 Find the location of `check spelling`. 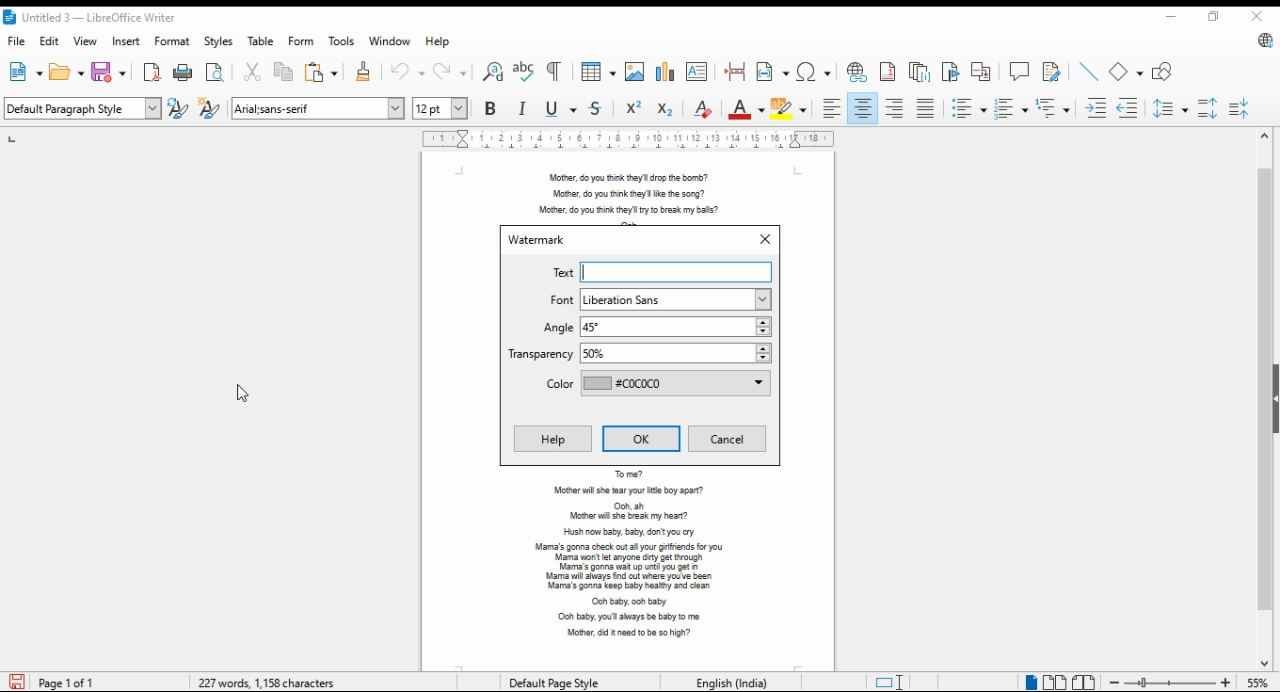

check spelling is located at coordinates (527, 72).